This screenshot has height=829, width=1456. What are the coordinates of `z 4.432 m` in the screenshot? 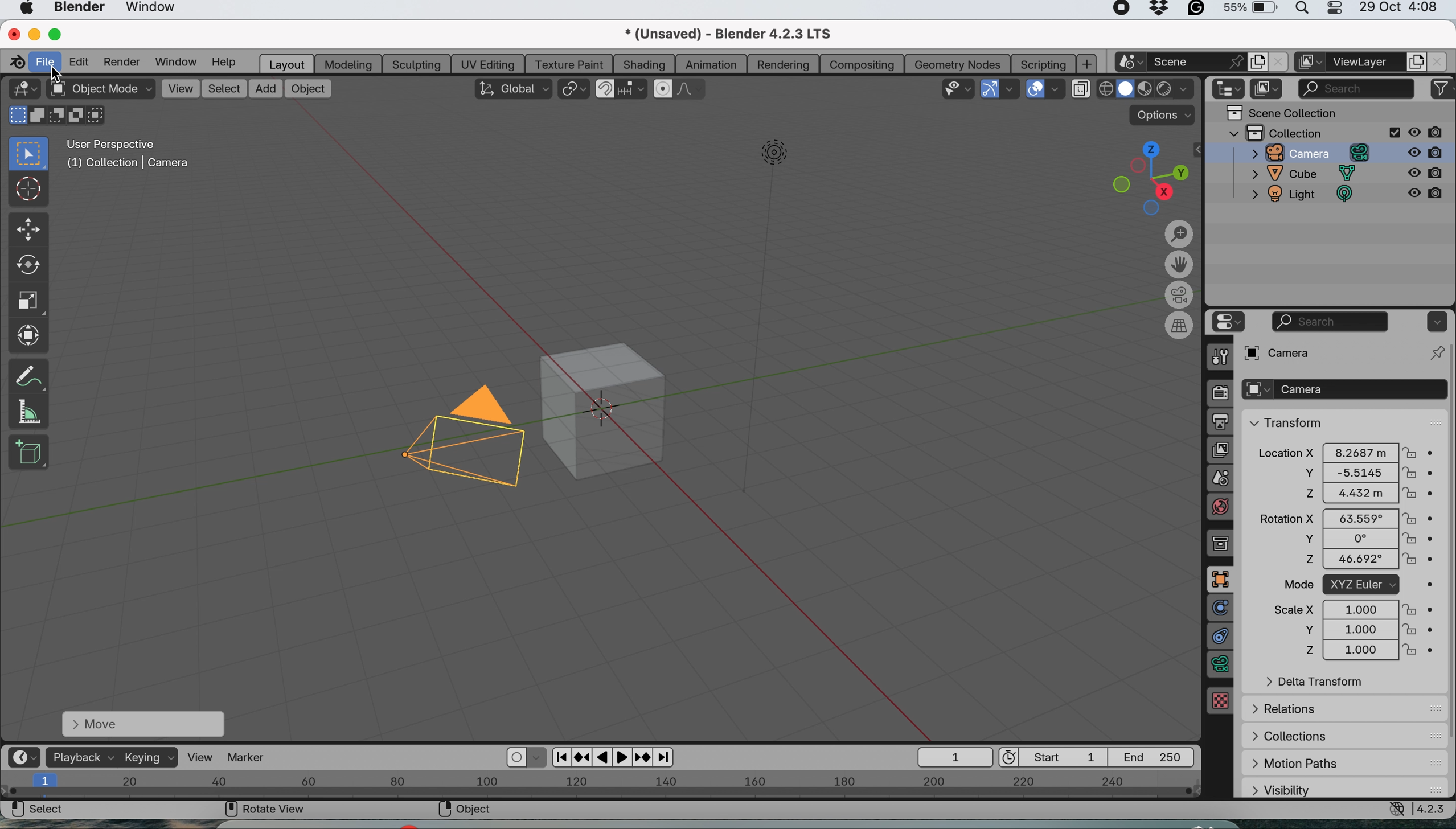 It's located at (1353, 494).